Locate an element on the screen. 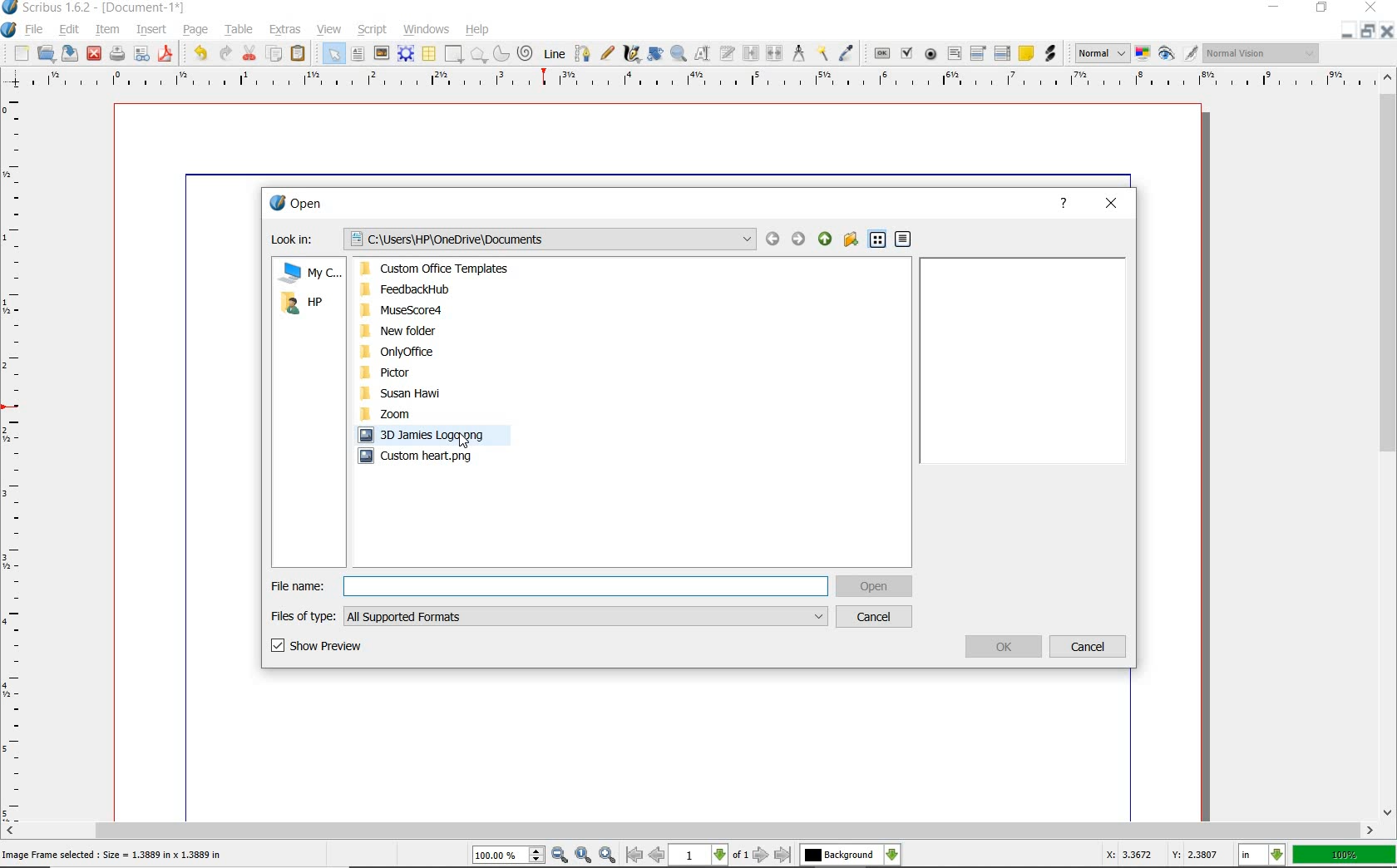  Look in is located at coordinates (511, 239).